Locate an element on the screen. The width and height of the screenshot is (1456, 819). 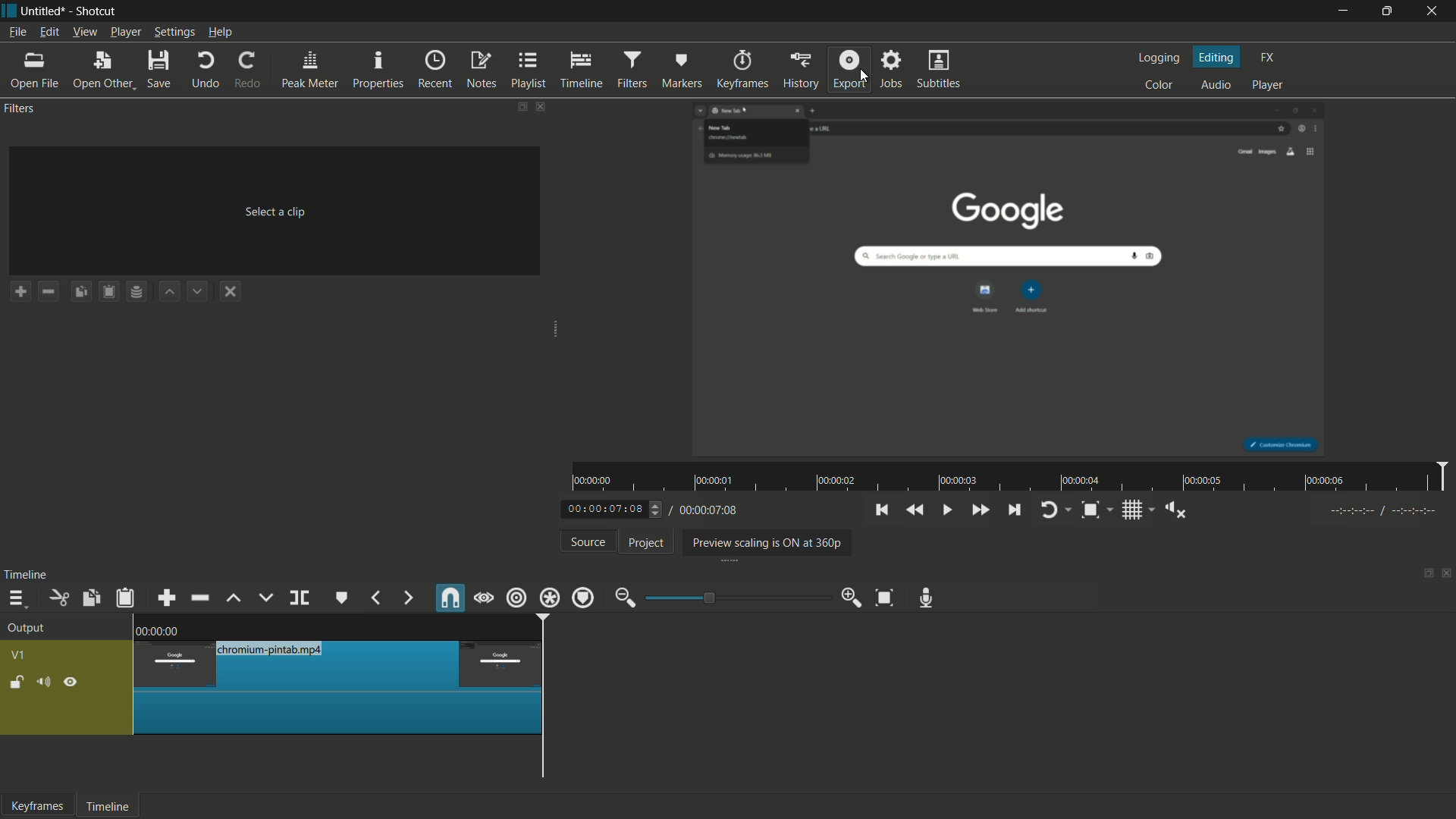
paste is located at coordinates (128, 598).